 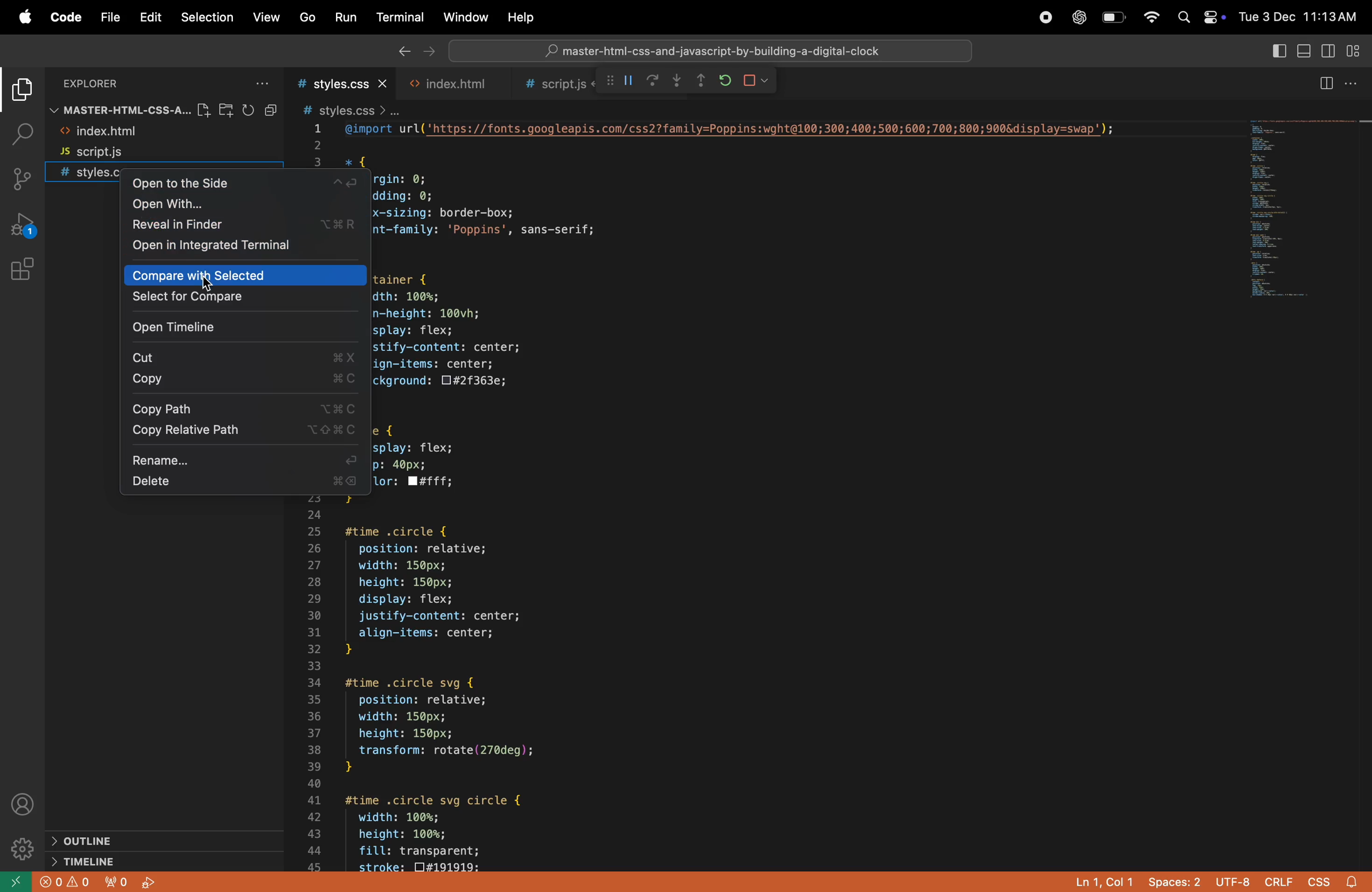 I want to click on settings, so click(x=22, y=846).